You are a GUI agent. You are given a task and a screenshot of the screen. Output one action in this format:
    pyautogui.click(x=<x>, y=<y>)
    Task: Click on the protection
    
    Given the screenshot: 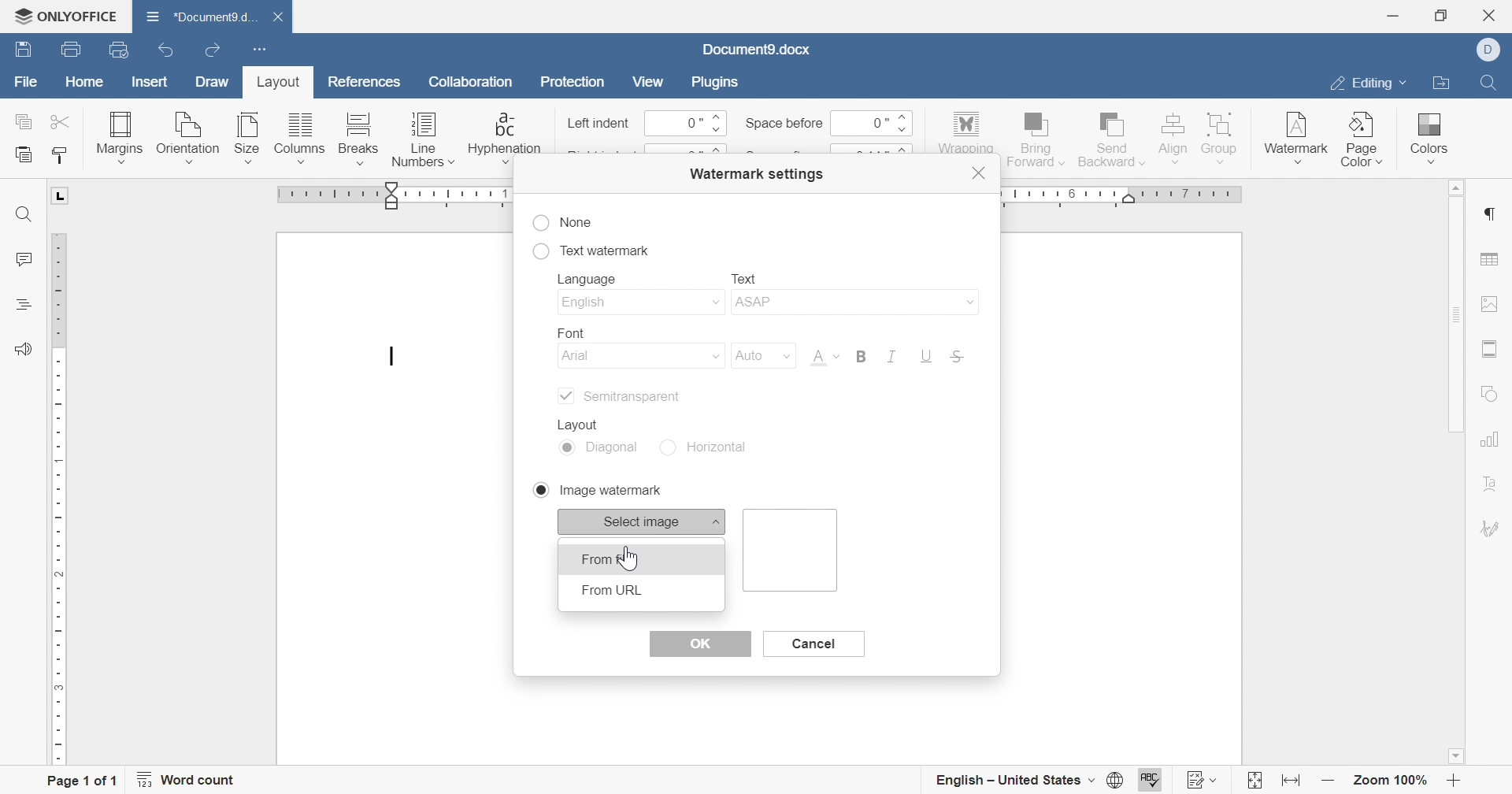 What is the action you would take?
    pyautogui.click(x=573, y=85)
    